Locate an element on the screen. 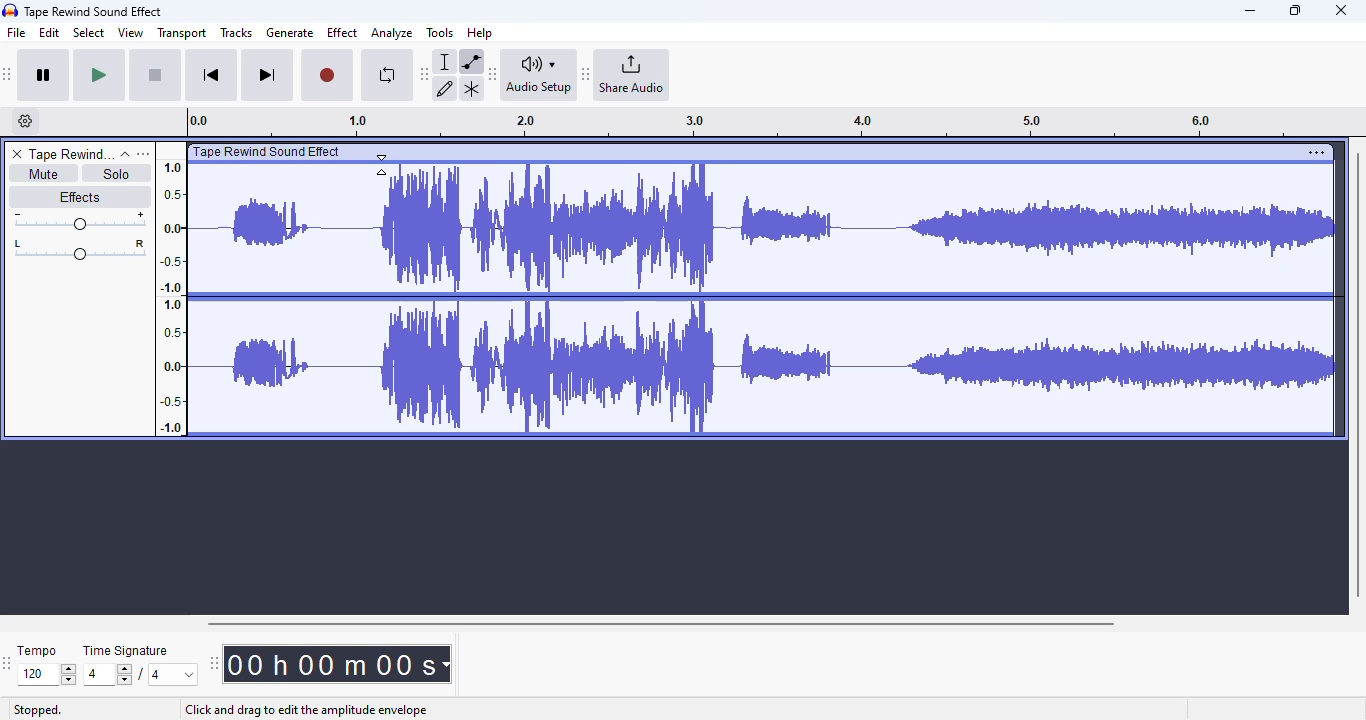  Time measurement options is located at coordinates (445, 664).